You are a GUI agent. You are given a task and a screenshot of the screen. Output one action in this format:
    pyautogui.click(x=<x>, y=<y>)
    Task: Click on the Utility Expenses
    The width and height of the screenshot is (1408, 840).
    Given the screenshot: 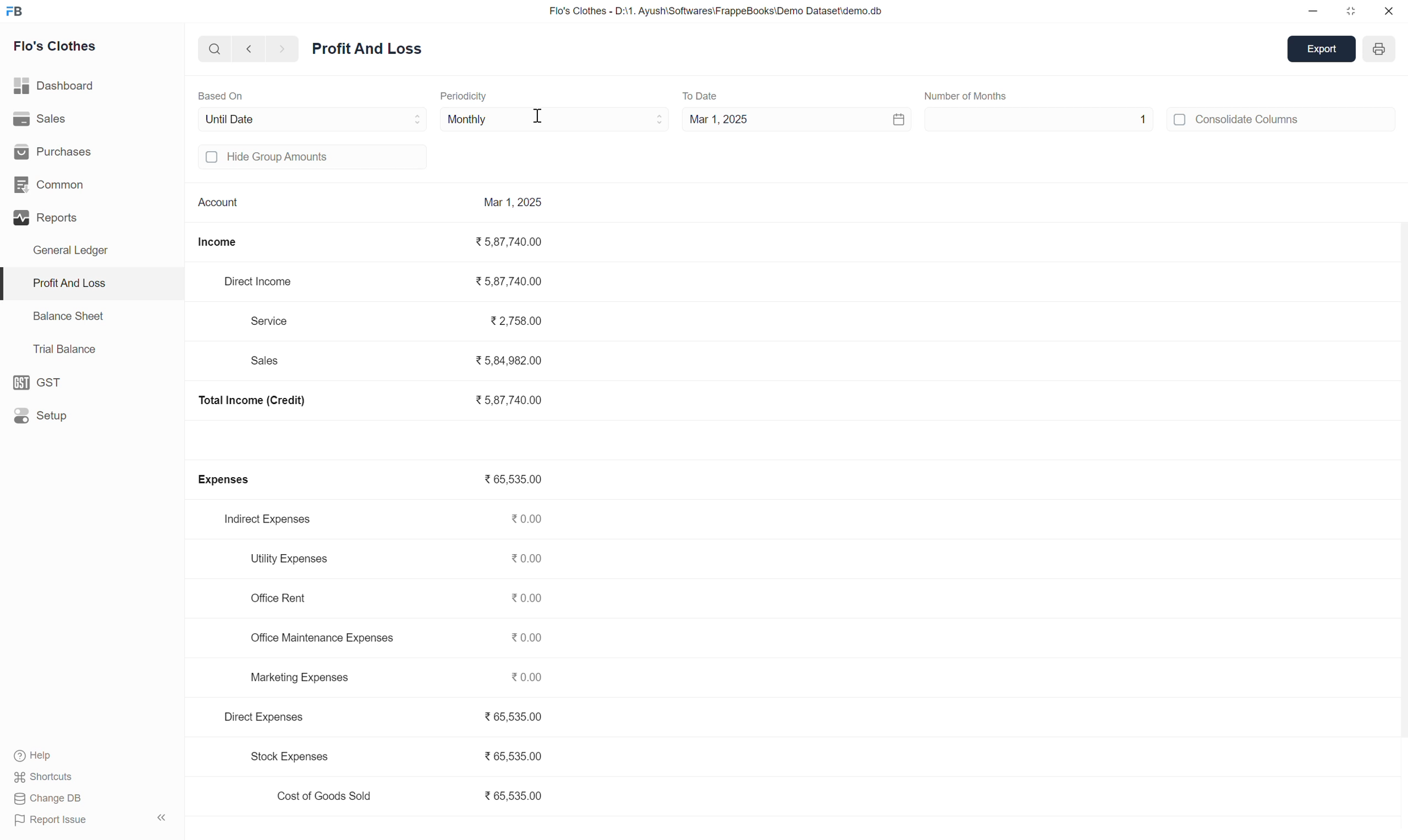 What is the action you would take?
    pyautogui.click(x=289, y=556)
    